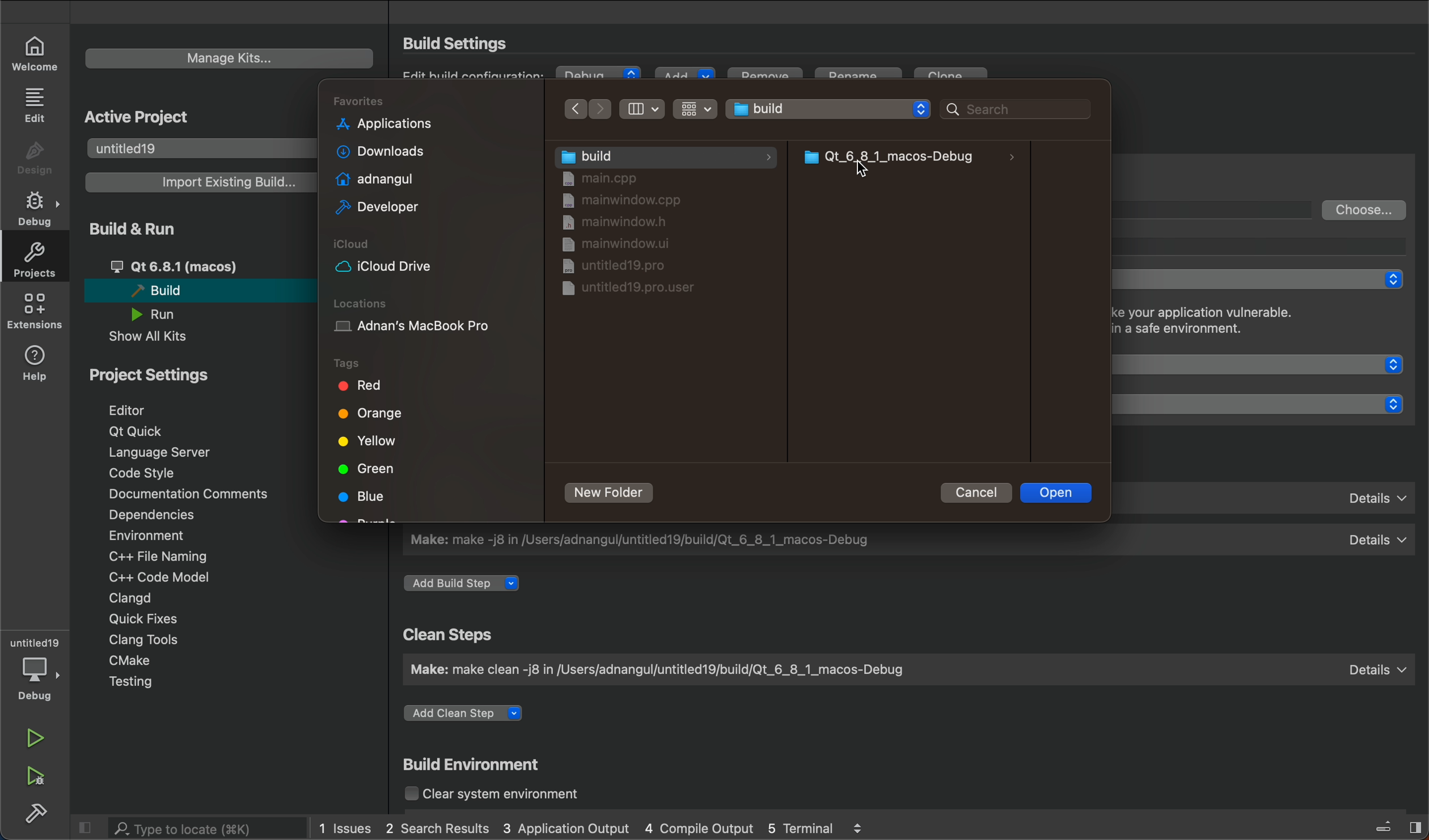 This screenshot has width=1429, height=840. What do you see at coordinates (828, 107) in the screenshot?
I see `Untitled ` at bounding box center [828, 107].